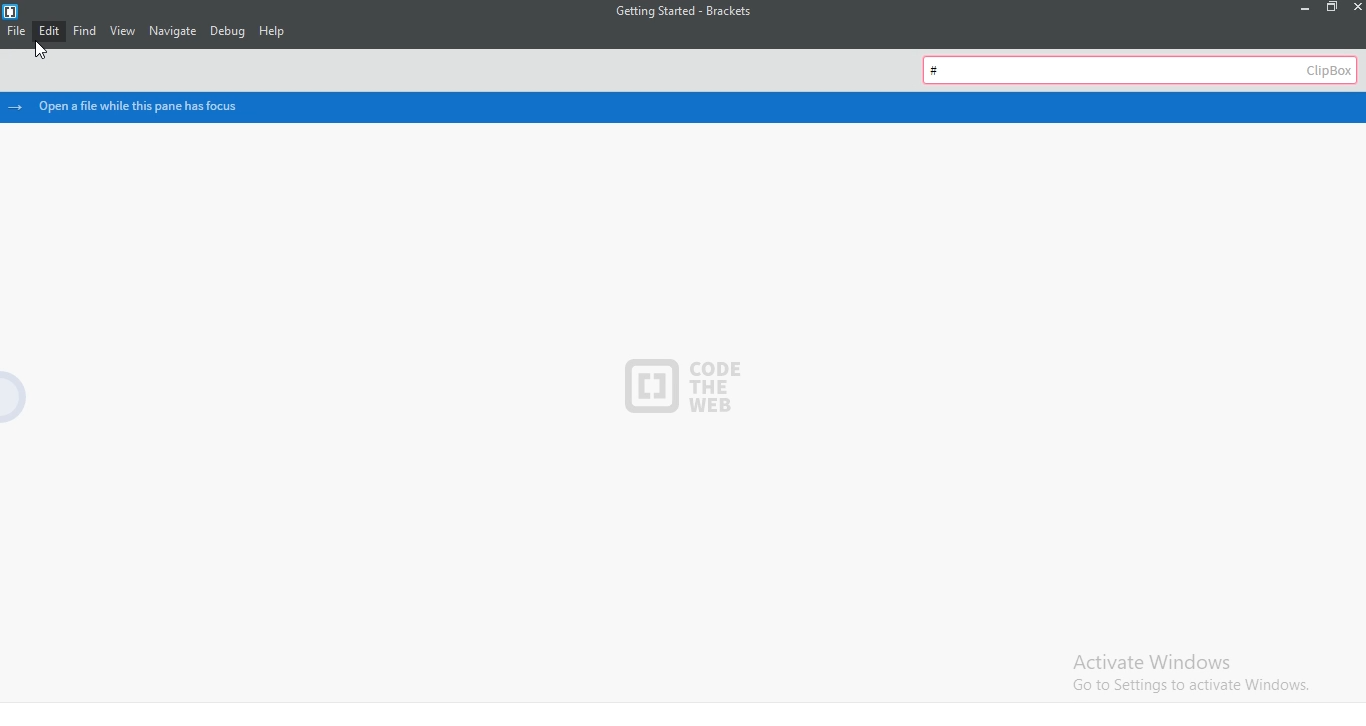 The width and height of the screenshot is (1366, 726). Describe the element at coordinates (678, 12) in the screenshot. I see `file name` at that location.